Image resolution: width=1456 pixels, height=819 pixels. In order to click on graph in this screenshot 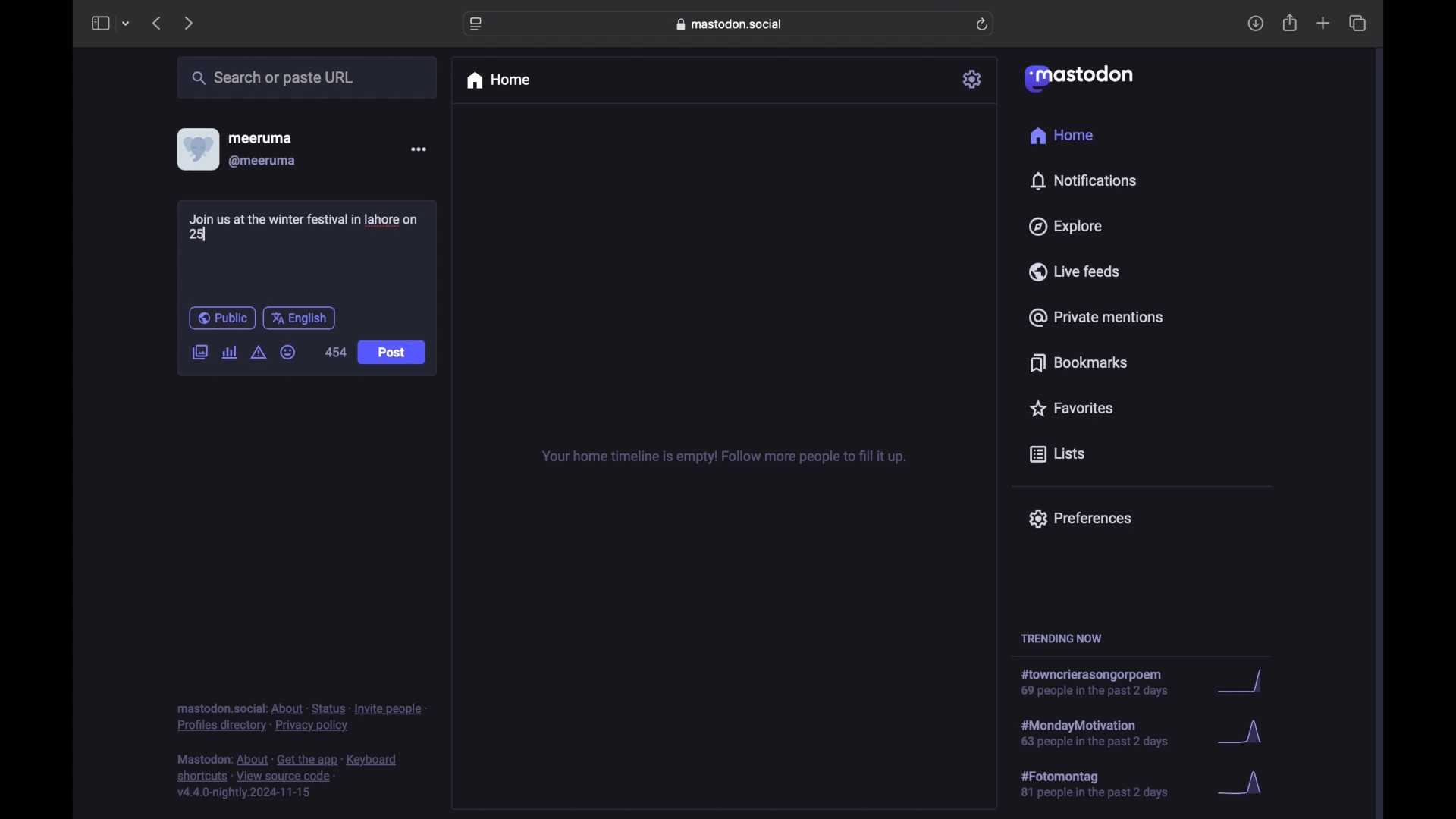, I will do `click(1244, 736)`.